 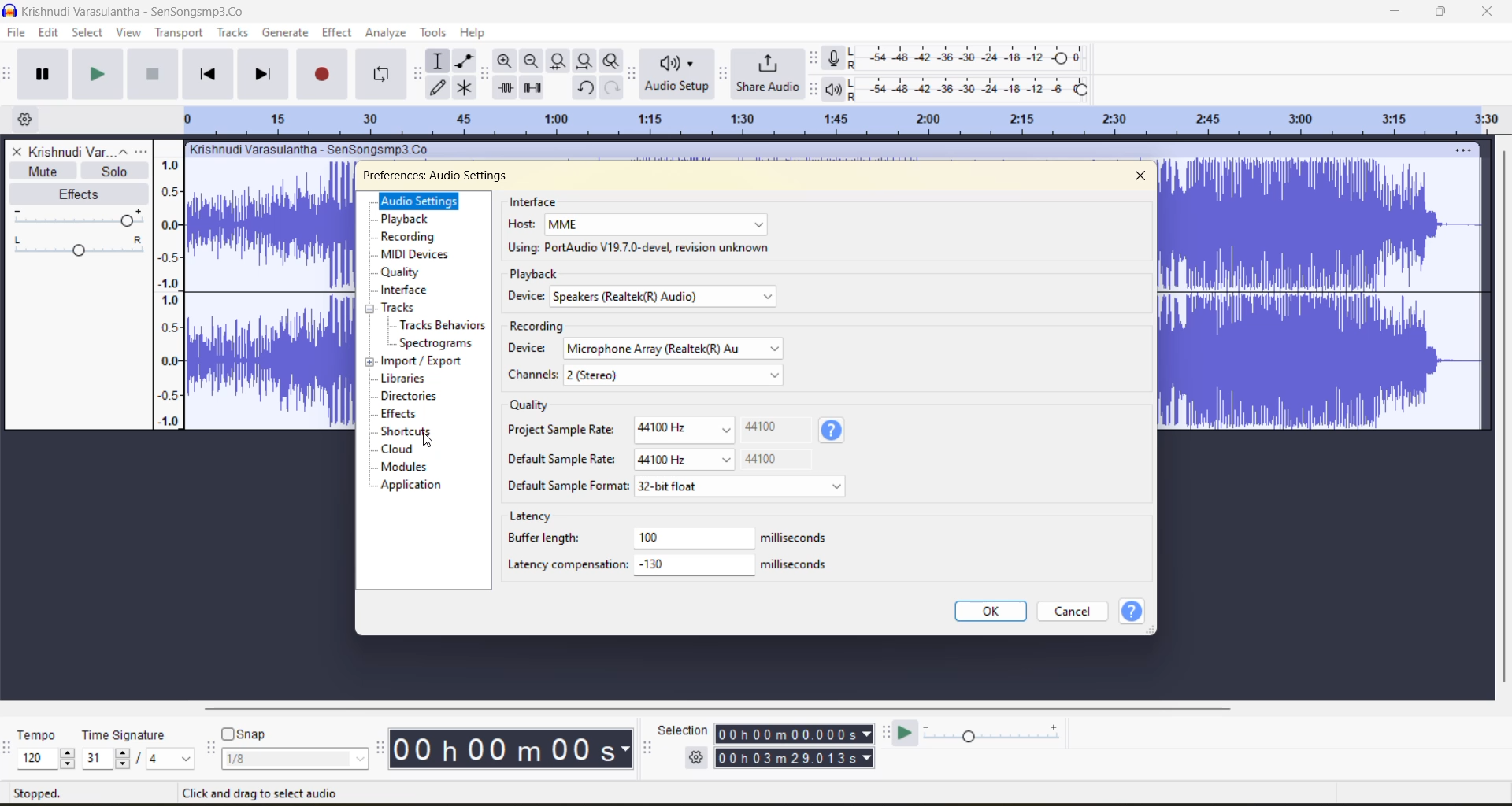 I want to click on interface, so click(x=407, y=290).